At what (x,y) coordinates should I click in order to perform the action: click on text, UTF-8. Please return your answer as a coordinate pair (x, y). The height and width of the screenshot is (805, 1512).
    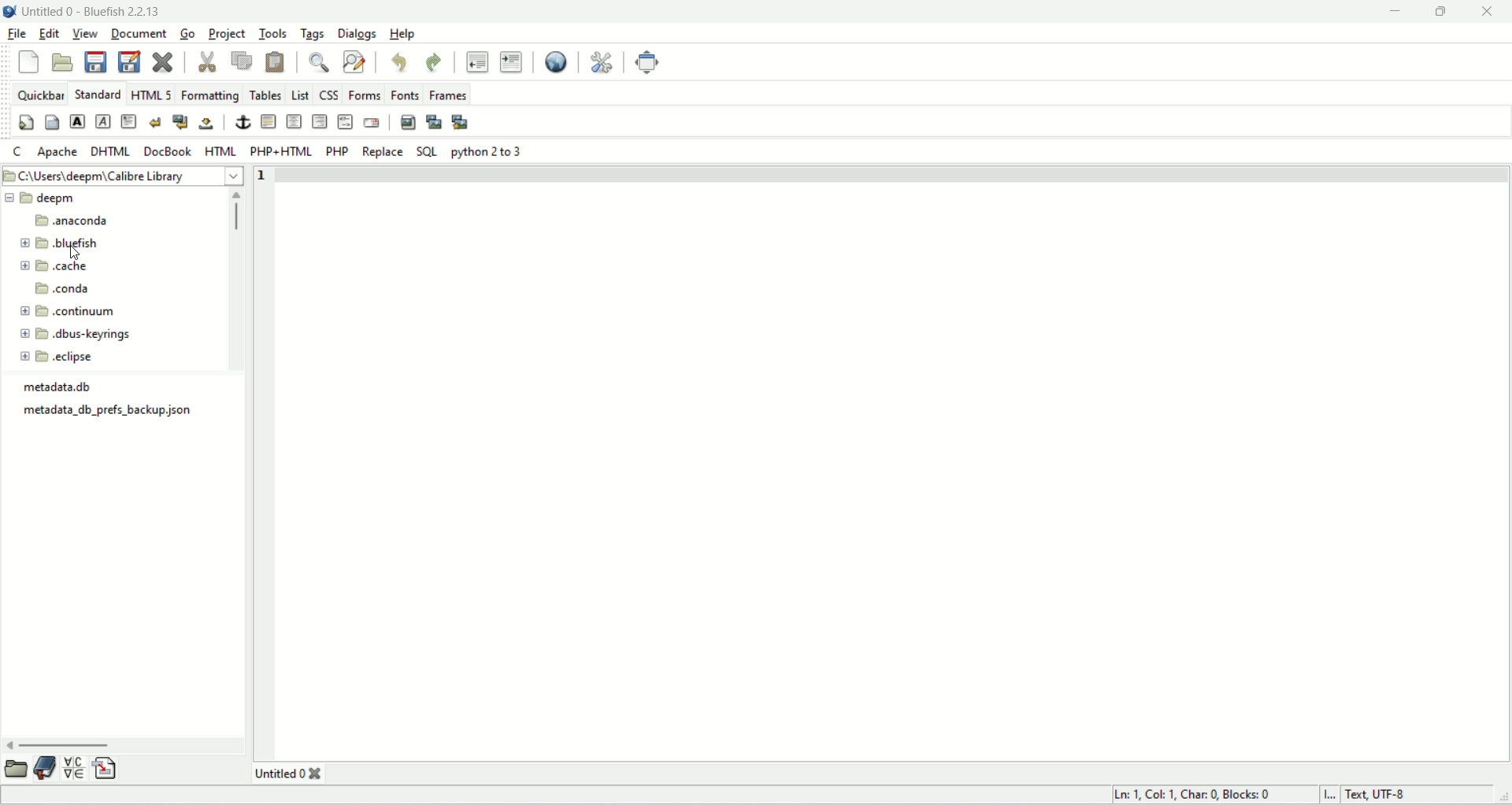
    Looking at the image, I should click on (1386, 796).